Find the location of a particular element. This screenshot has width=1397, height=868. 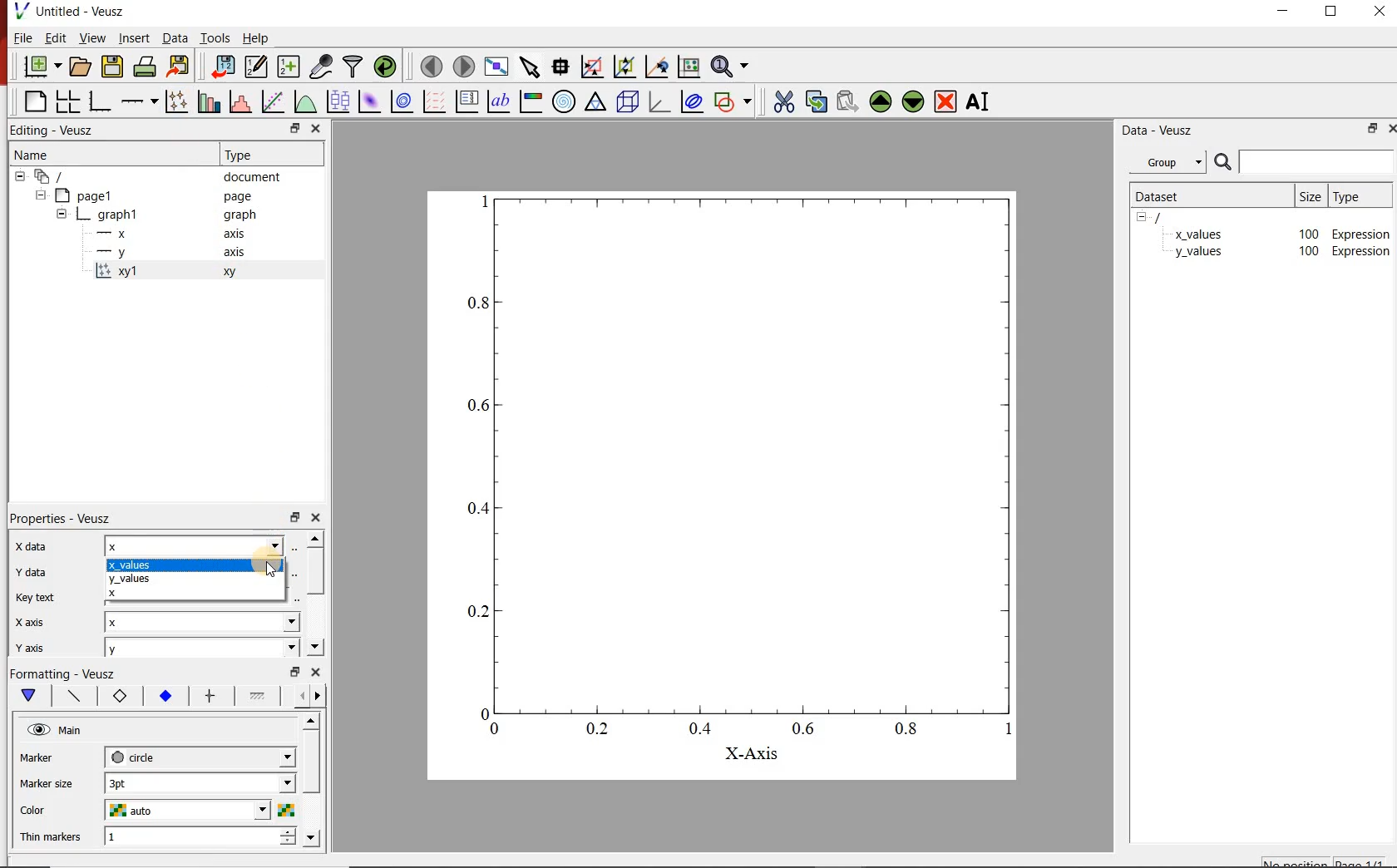

dataset is located at coordinates (1170, 196).